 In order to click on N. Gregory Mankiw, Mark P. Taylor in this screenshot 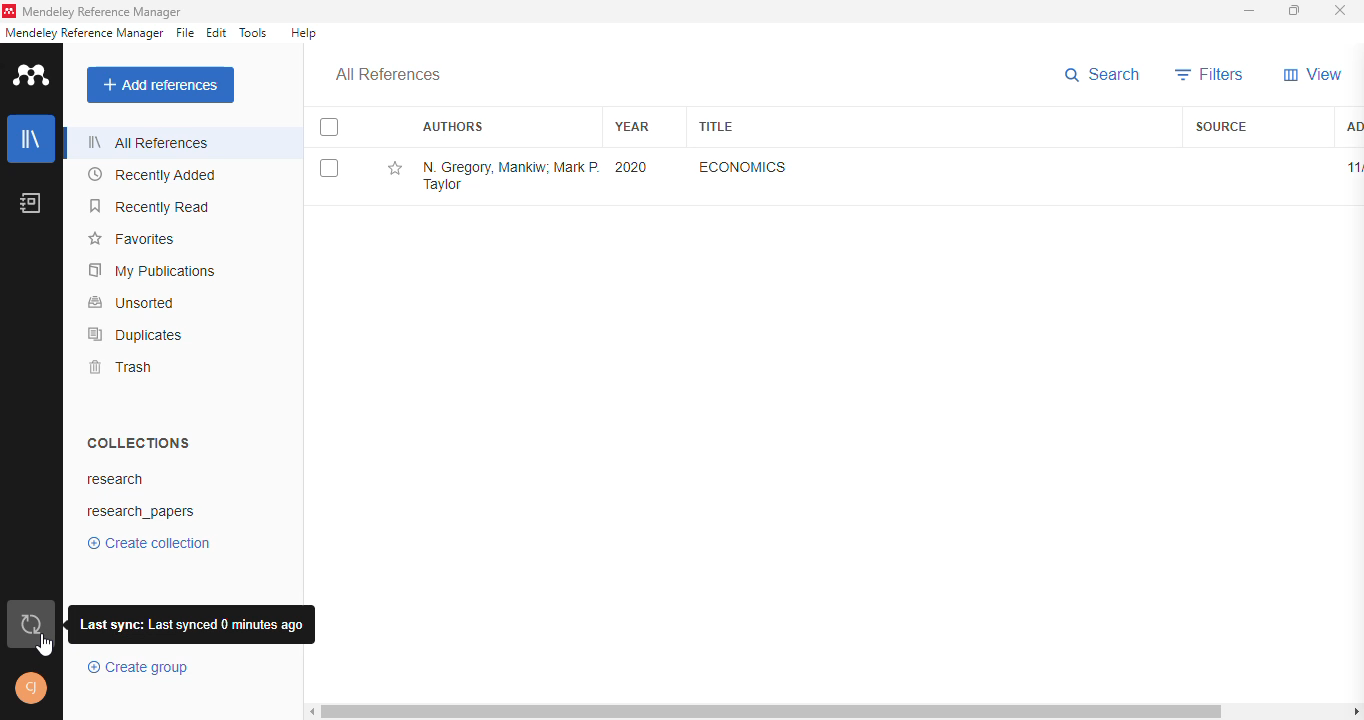, I will do `click(513, 176)`.